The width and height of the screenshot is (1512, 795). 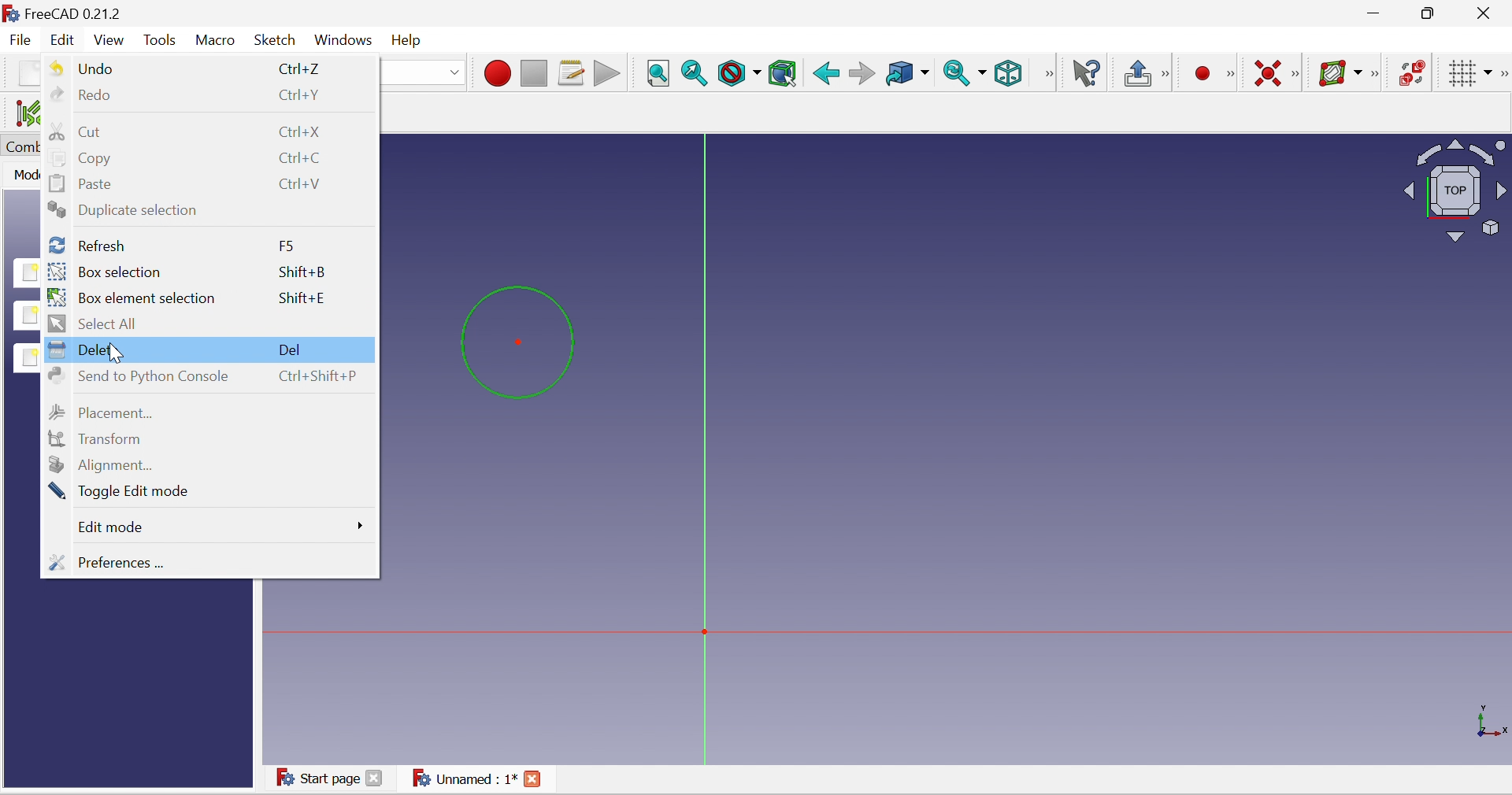 I want to click on cursor, so click(x=117, y=353).